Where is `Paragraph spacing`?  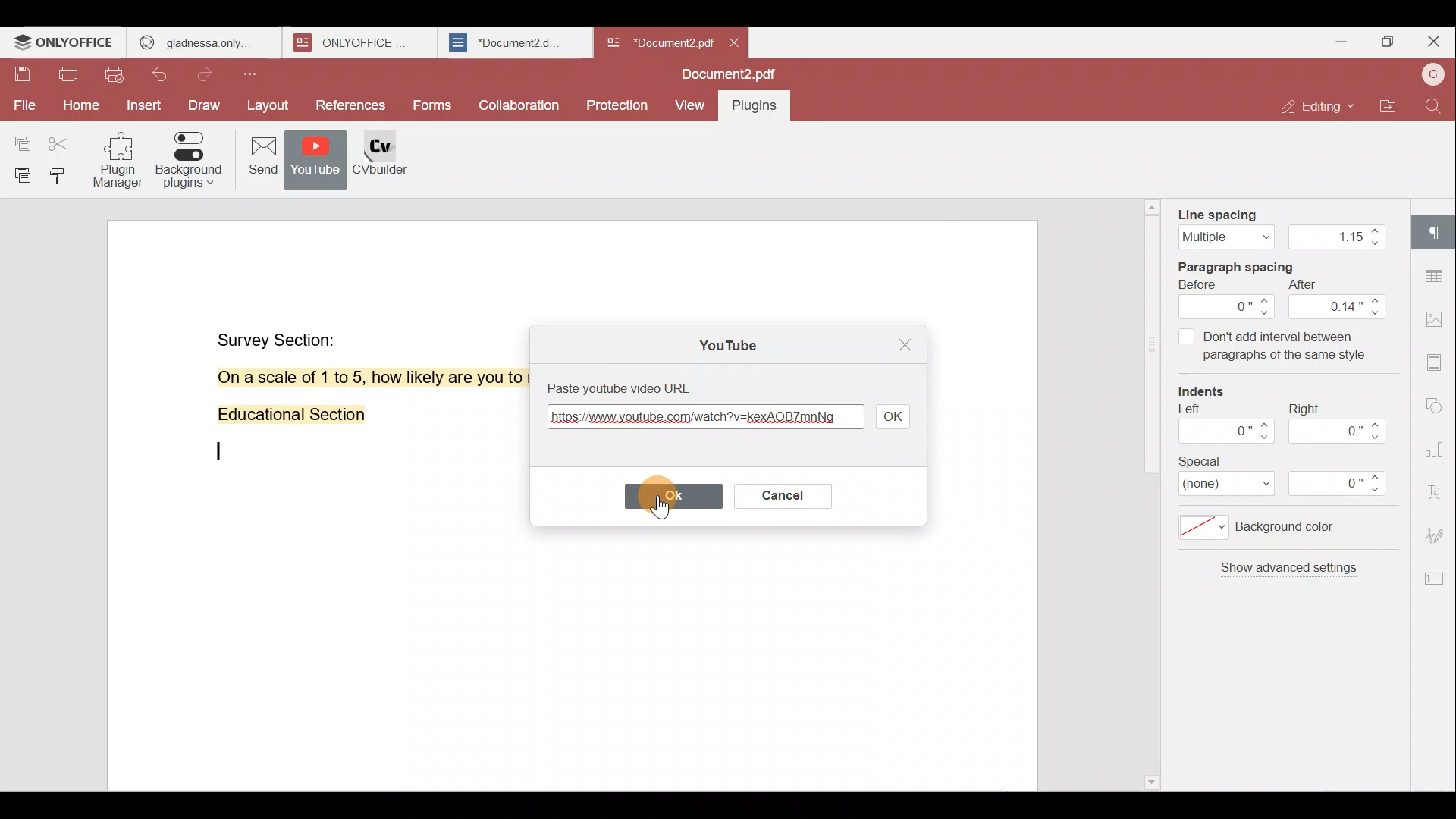 Paragraph spacing is located at coordinates (1250, 265).